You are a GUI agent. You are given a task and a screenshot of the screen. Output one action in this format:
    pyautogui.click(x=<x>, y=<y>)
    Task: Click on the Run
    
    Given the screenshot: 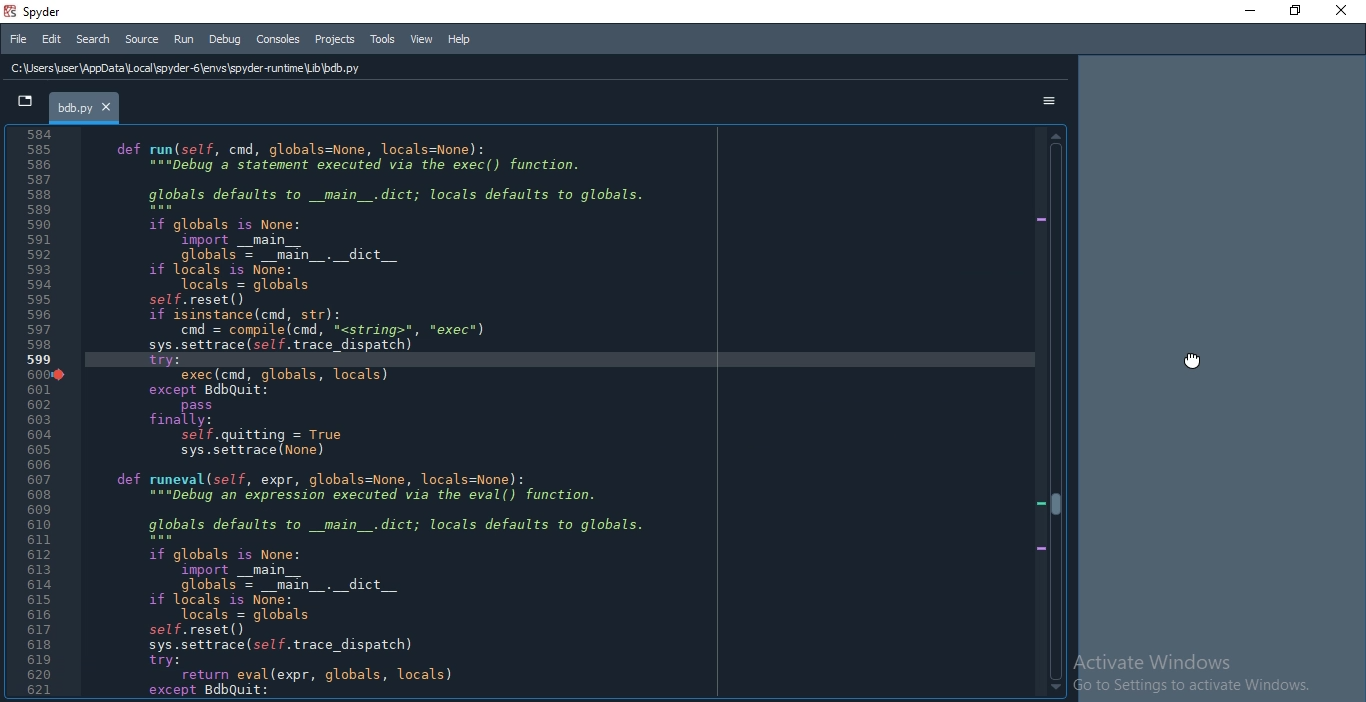 What is the action you would take?
    pyautogui.click(x=184, y=40)
    